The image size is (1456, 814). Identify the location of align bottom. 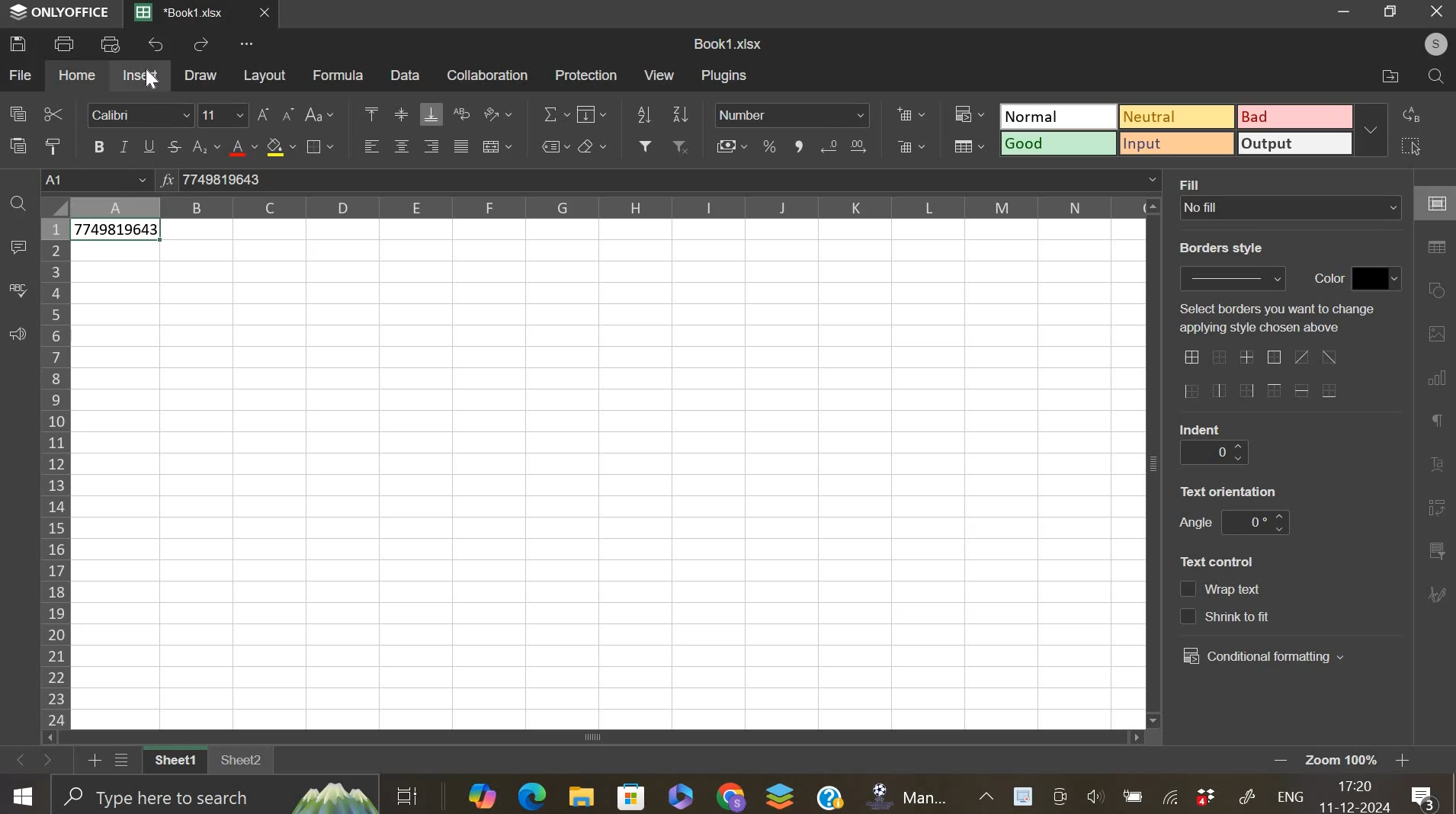
(431, 115).